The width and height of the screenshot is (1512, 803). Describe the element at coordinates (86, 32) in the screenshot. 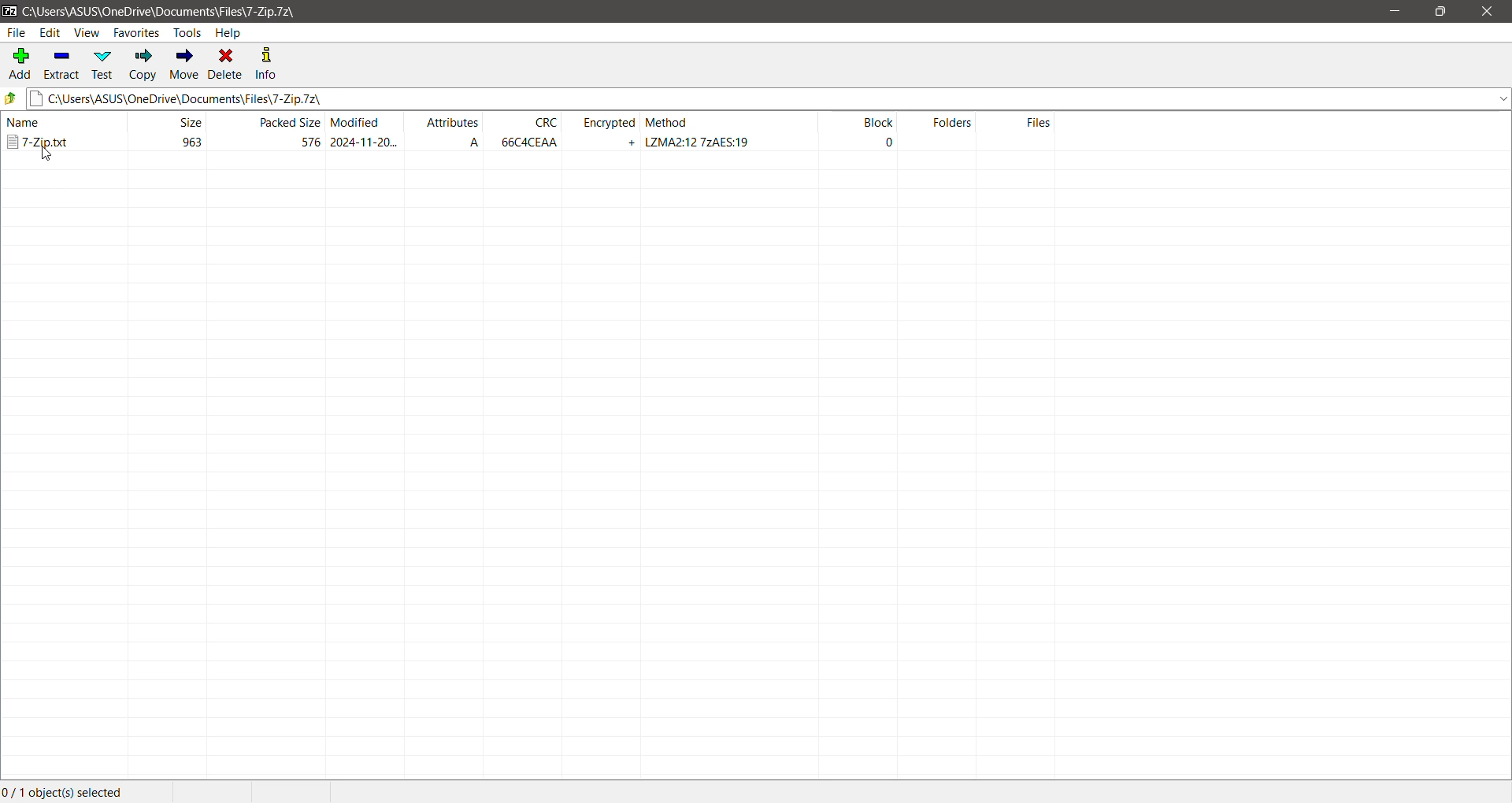

I see `View` at that location.